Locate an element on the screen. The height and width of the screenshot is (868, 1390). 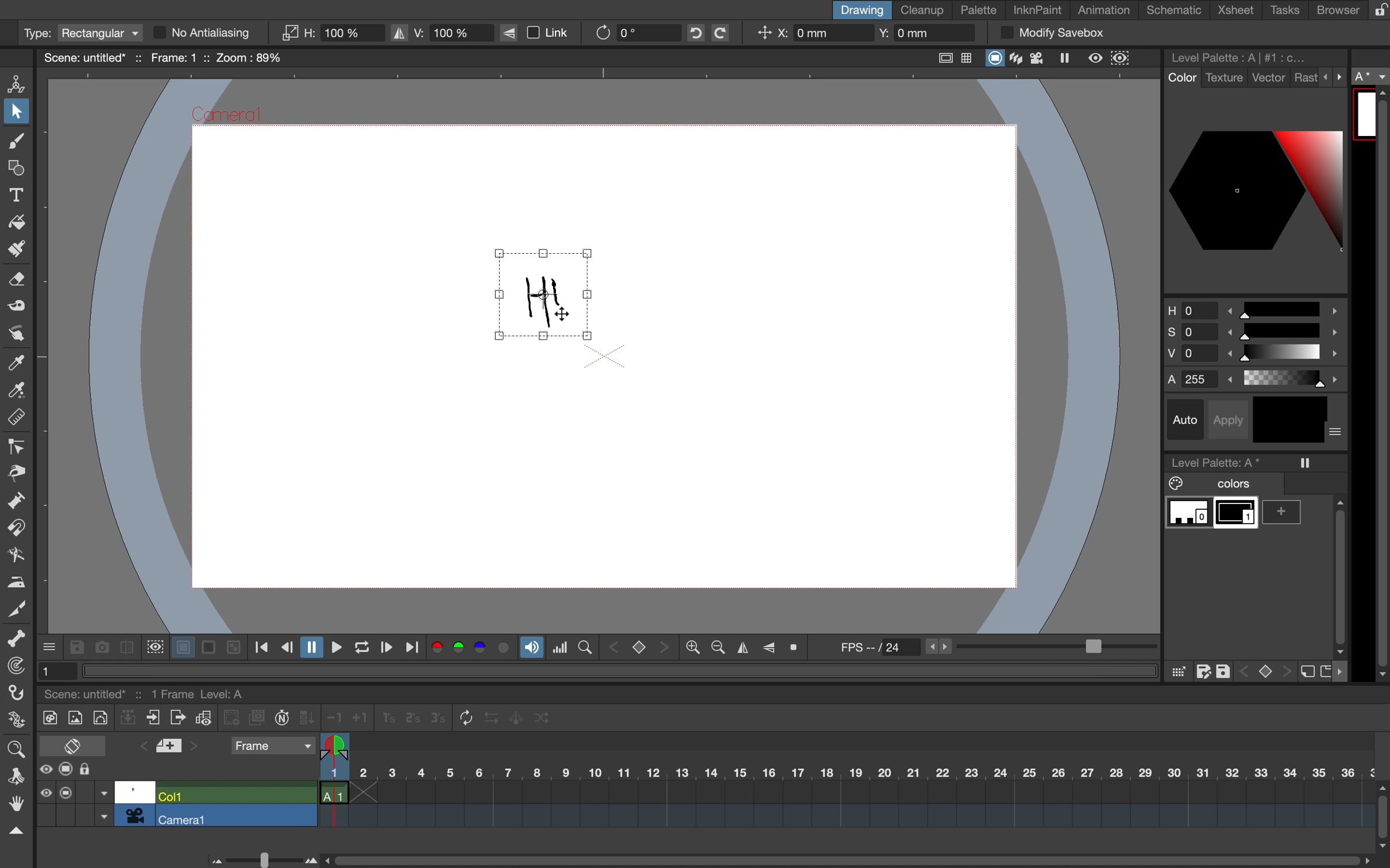
white background is located at coordinates (181, 645).